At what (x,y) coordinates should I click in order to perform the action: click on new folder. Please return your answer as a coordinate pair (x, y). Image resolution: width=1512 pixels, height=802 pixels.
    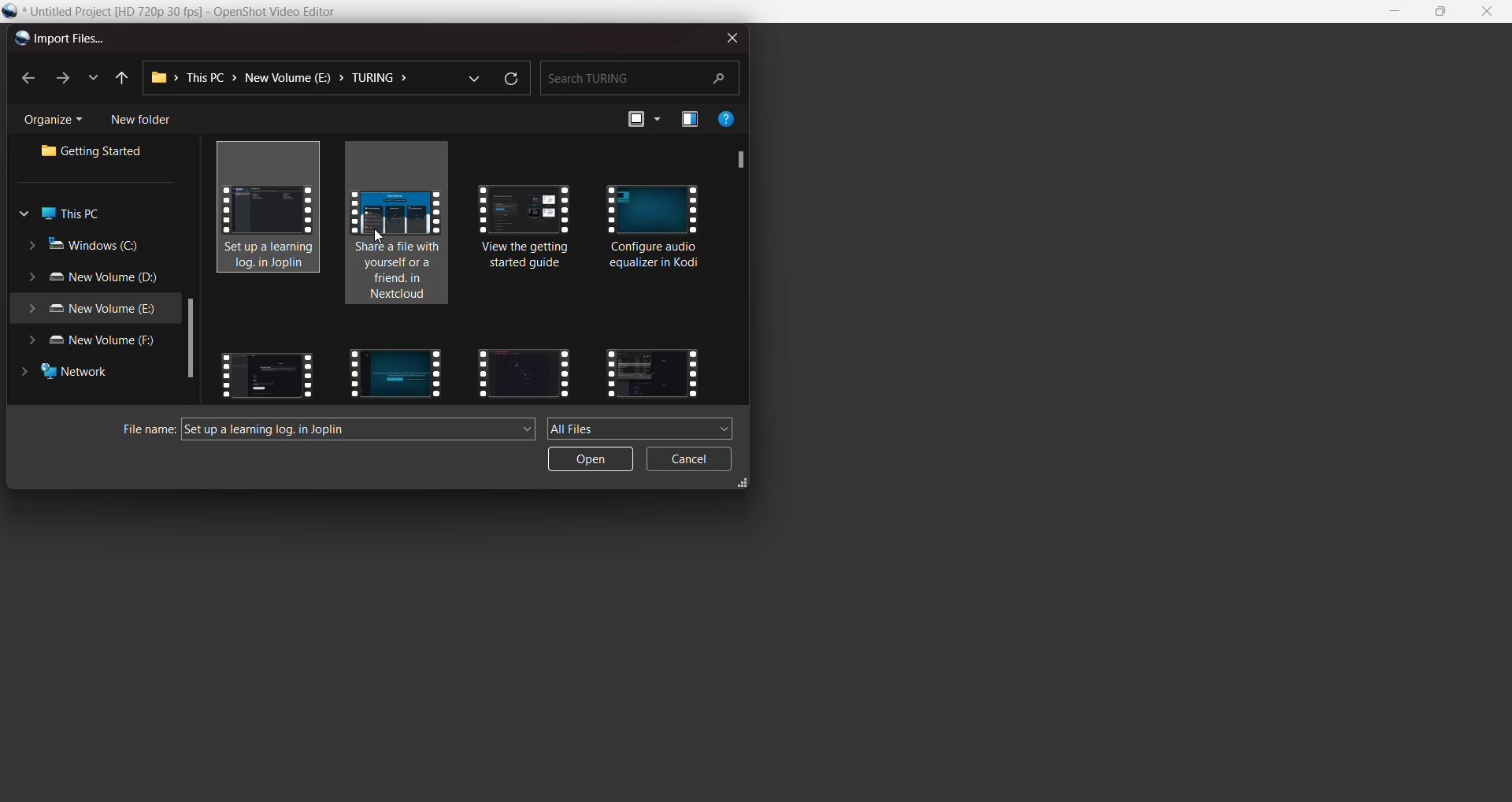
    Looking at the image, I should click on (141, 120).